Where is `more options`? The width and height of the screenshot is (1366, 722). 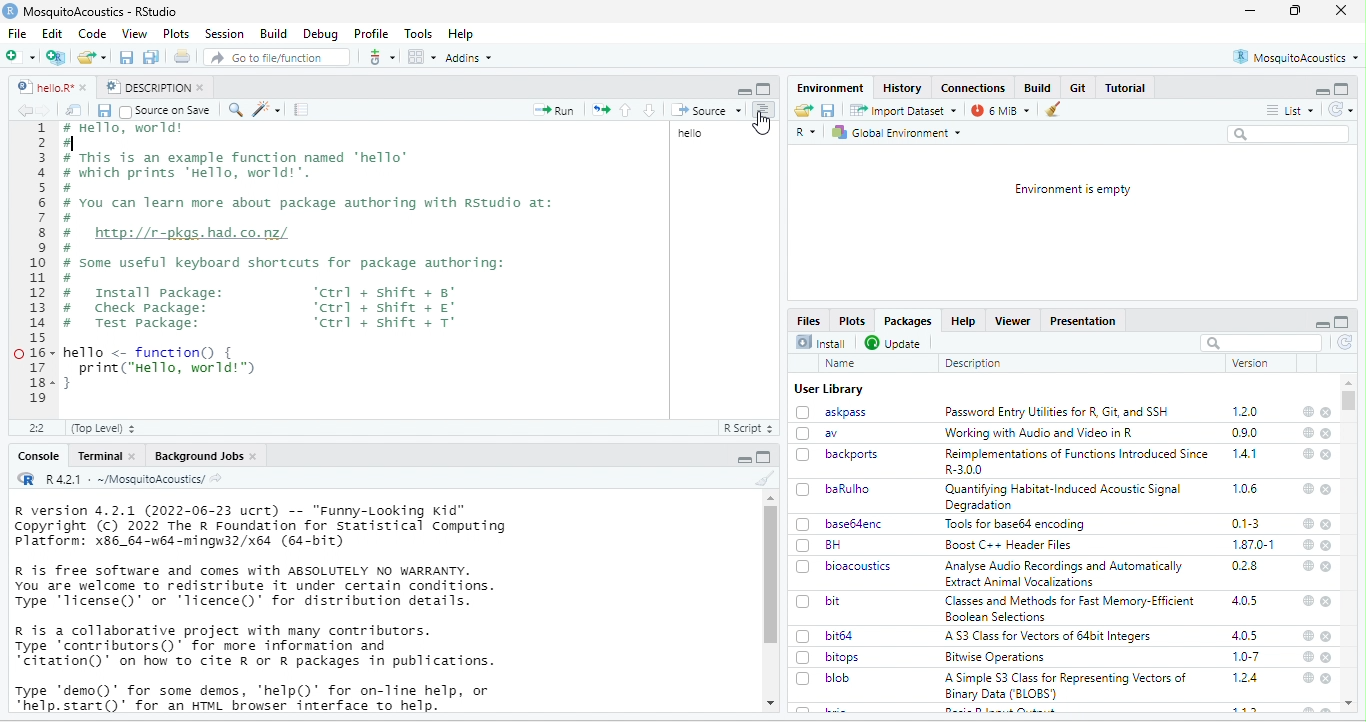
more options is located at coordinates (381, 56).